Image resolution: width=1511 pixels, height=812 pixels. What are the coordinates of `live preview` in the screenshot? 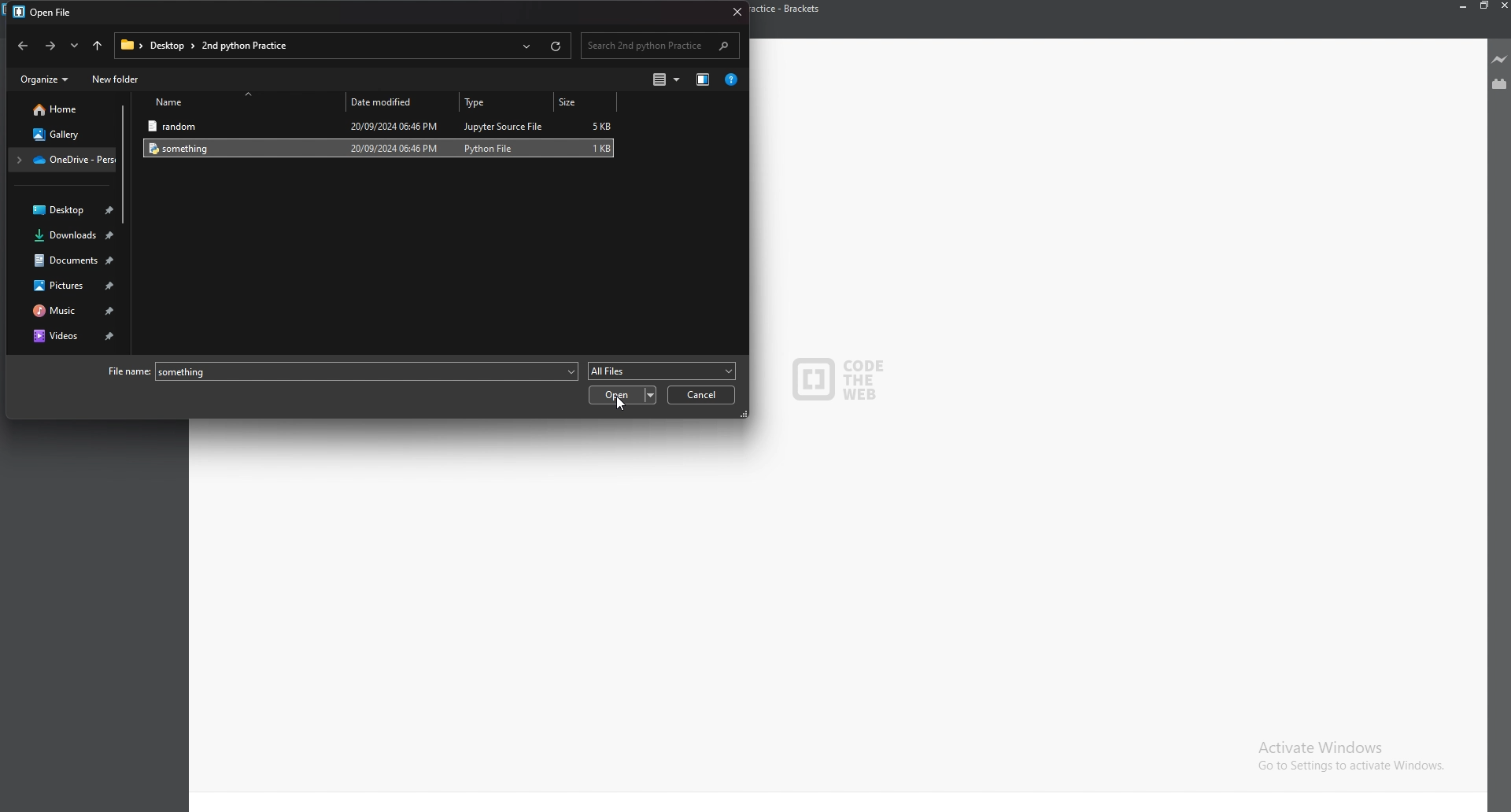 It's located at (1498, 58).